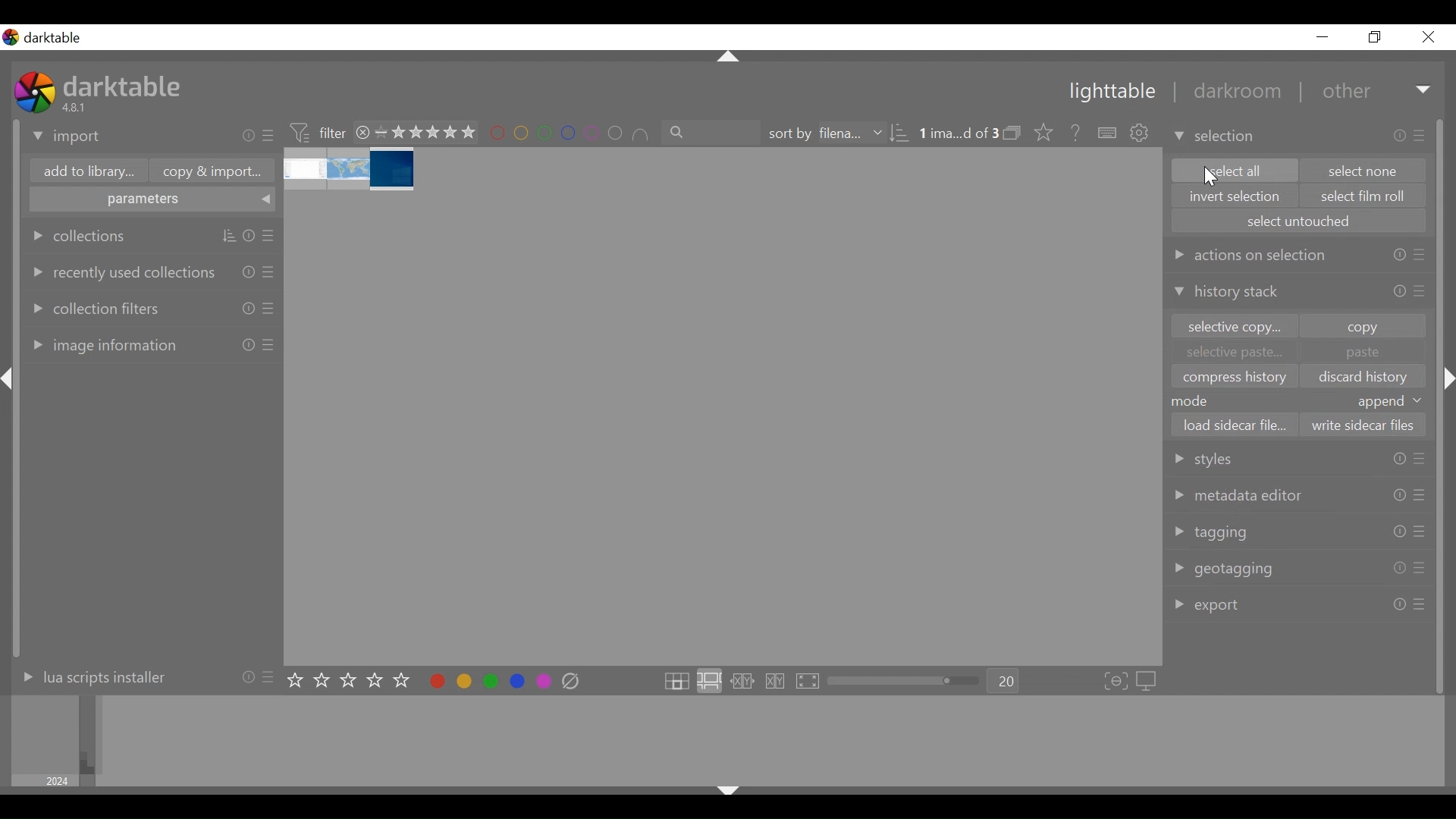 This screenshot has width=1456, height=819. I want to click on append, so click(1391, 402).